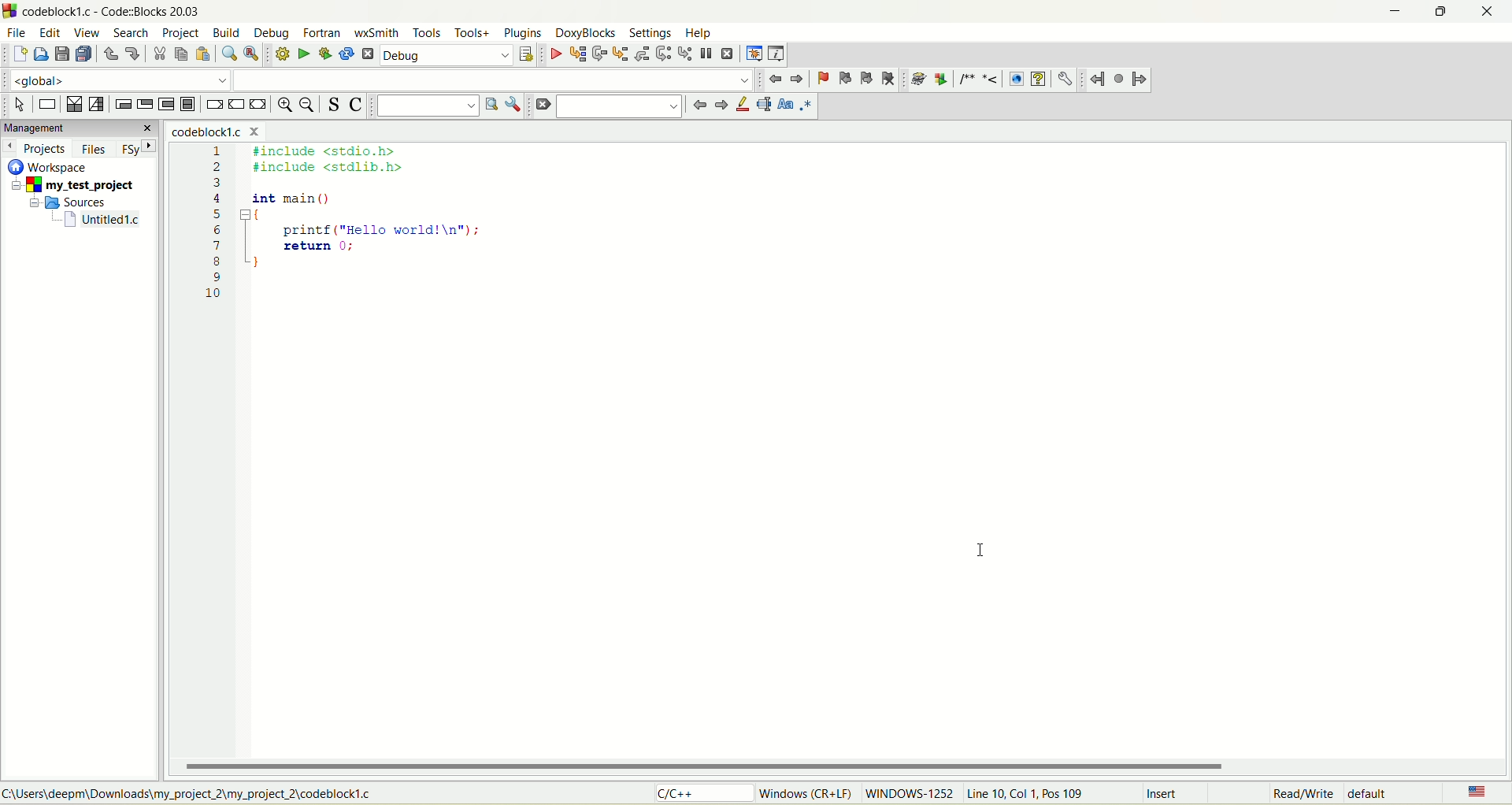 This screenshot has width=1512, height=805. Describe the element at coordinates (427, 33) in the screenshot. I see `tools` at that location.